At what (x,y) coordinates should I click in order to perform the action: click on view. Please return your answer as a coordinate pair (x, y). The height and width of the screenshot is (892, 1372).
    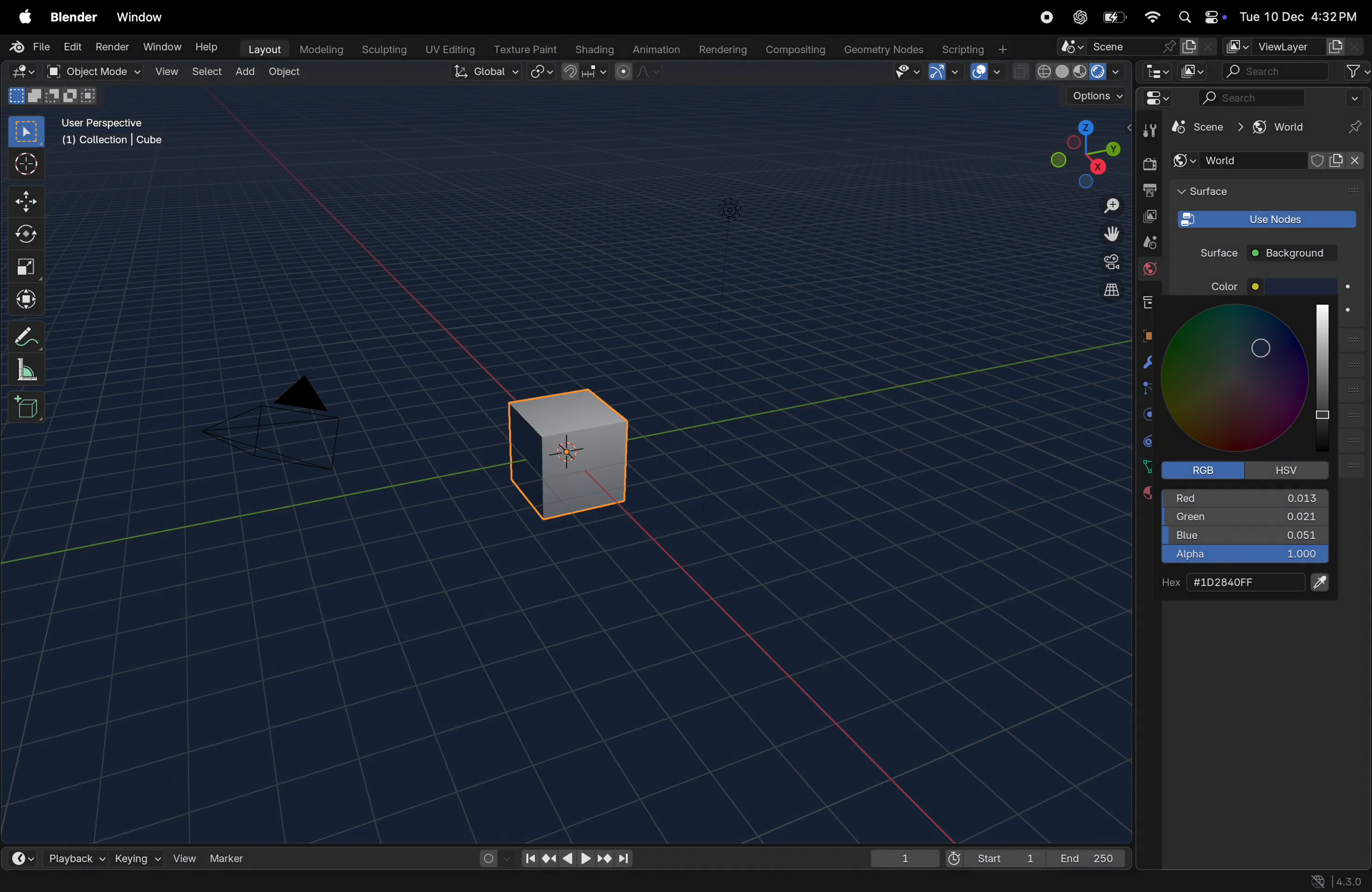
    Looking at the image, I should click on (184, 856).